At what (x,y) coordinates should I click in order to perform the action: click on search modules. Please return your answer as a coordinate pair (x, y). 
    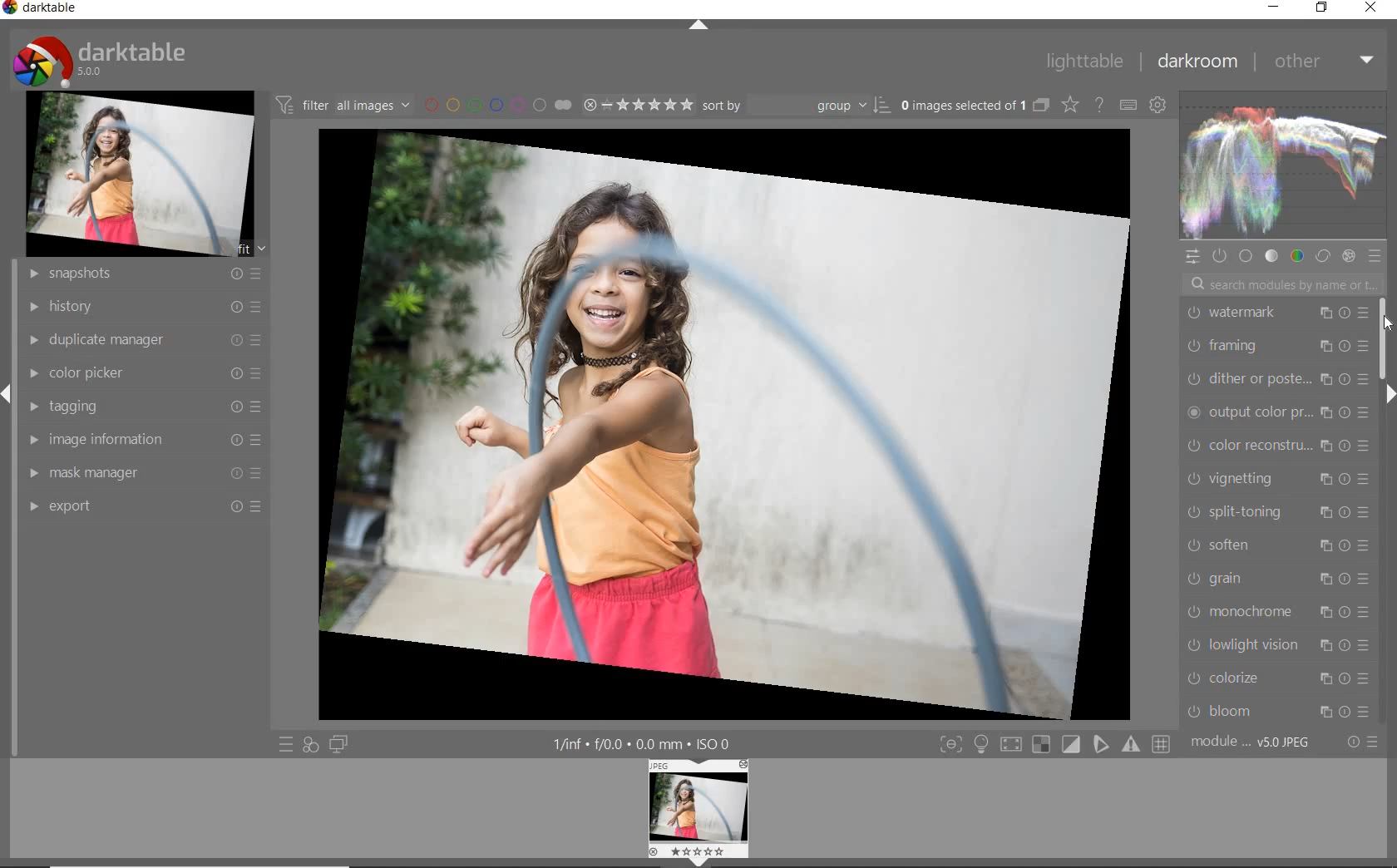
    Looking at the image, I should click on (1277, 286).